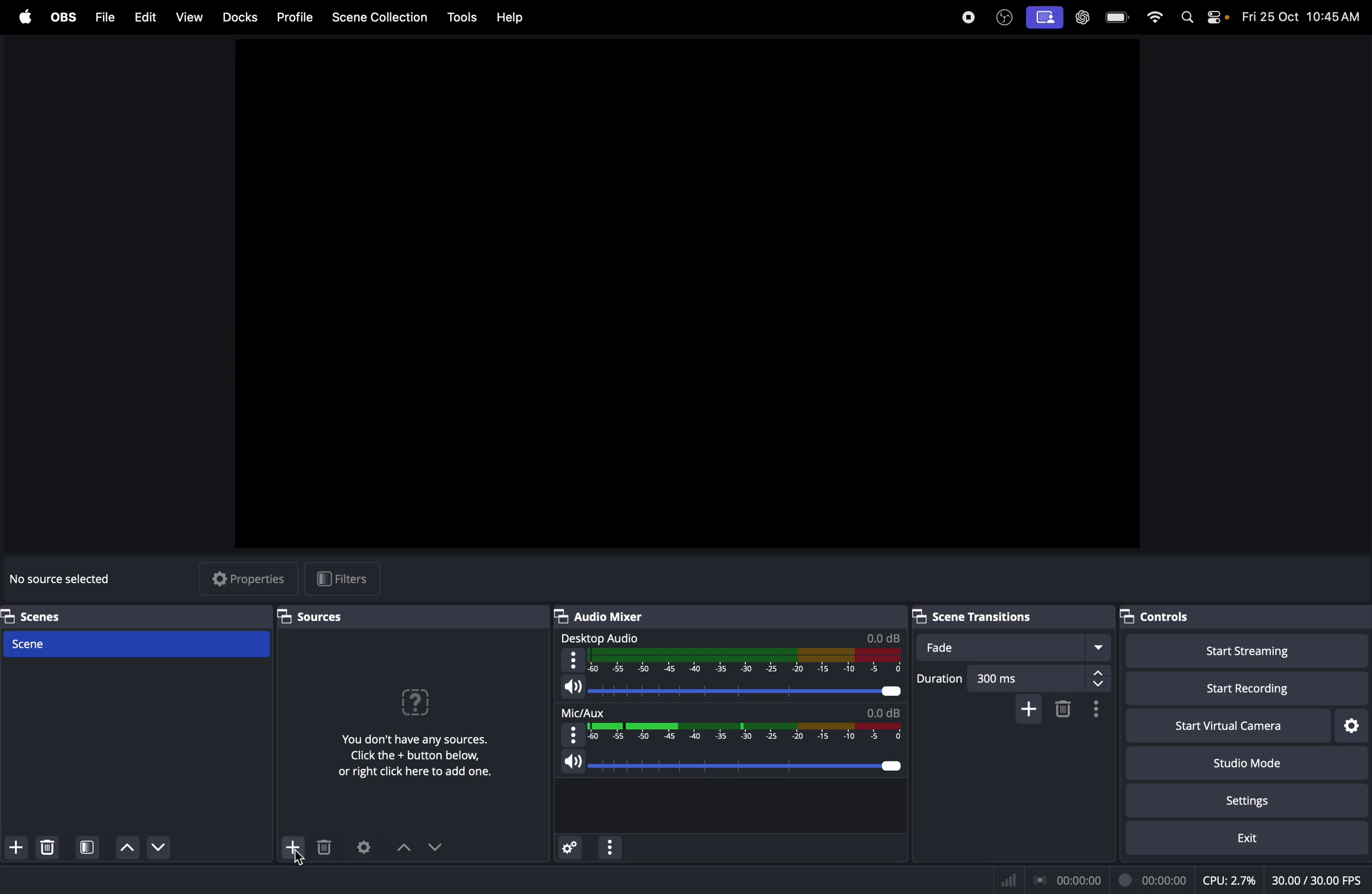 This screenshot has width=1372, height=894. What do you see at coordinates (1238, 839) in the screenshot?
I see `exit` at bounding box center [1238, 839].